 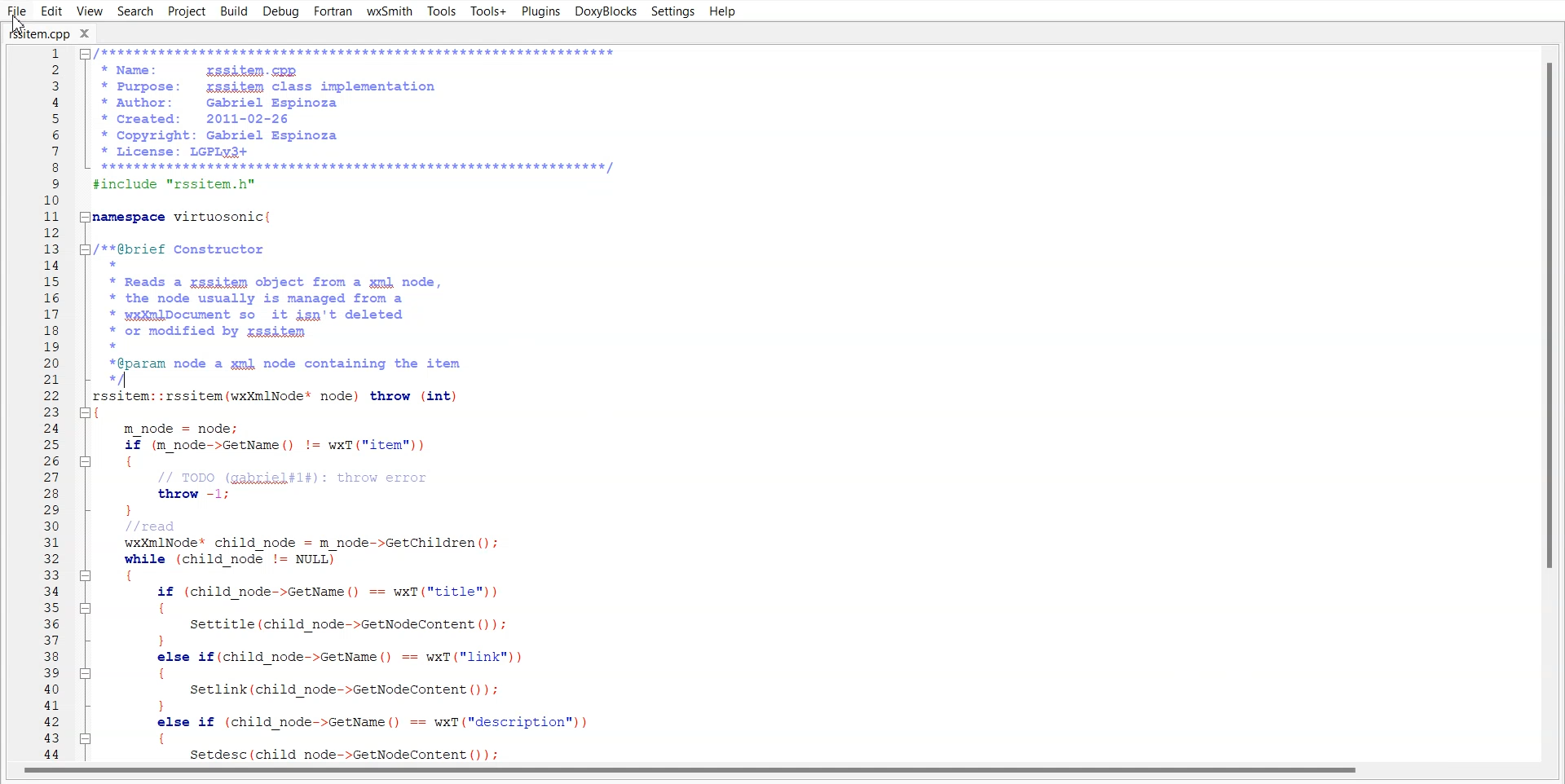 What do you see at coordinates (86, 609) in the screenshot?
I see `Collapse` at bounding box center [86, 609].